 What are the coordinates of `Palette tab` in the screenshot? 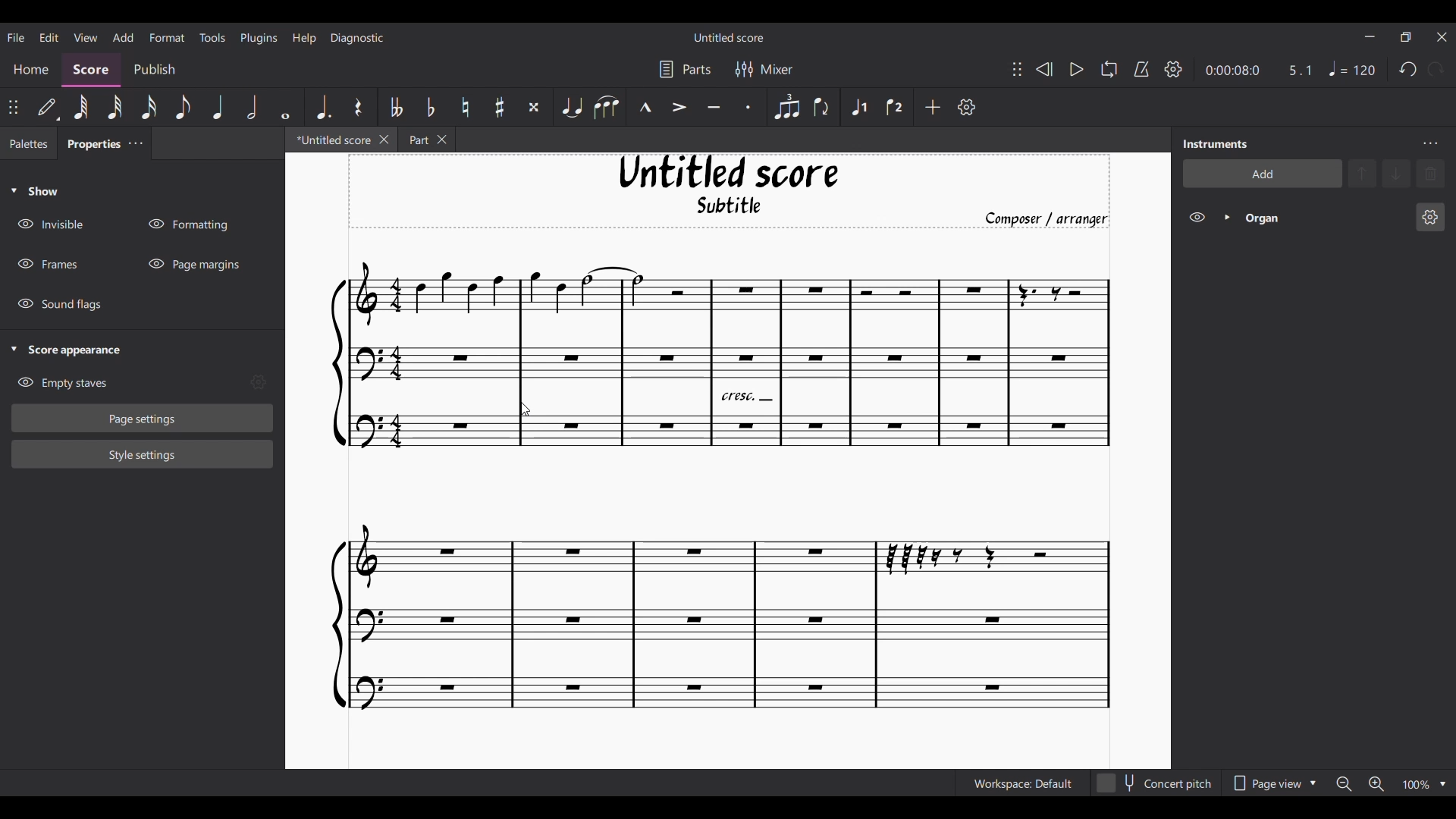 It's located at (27, 144).